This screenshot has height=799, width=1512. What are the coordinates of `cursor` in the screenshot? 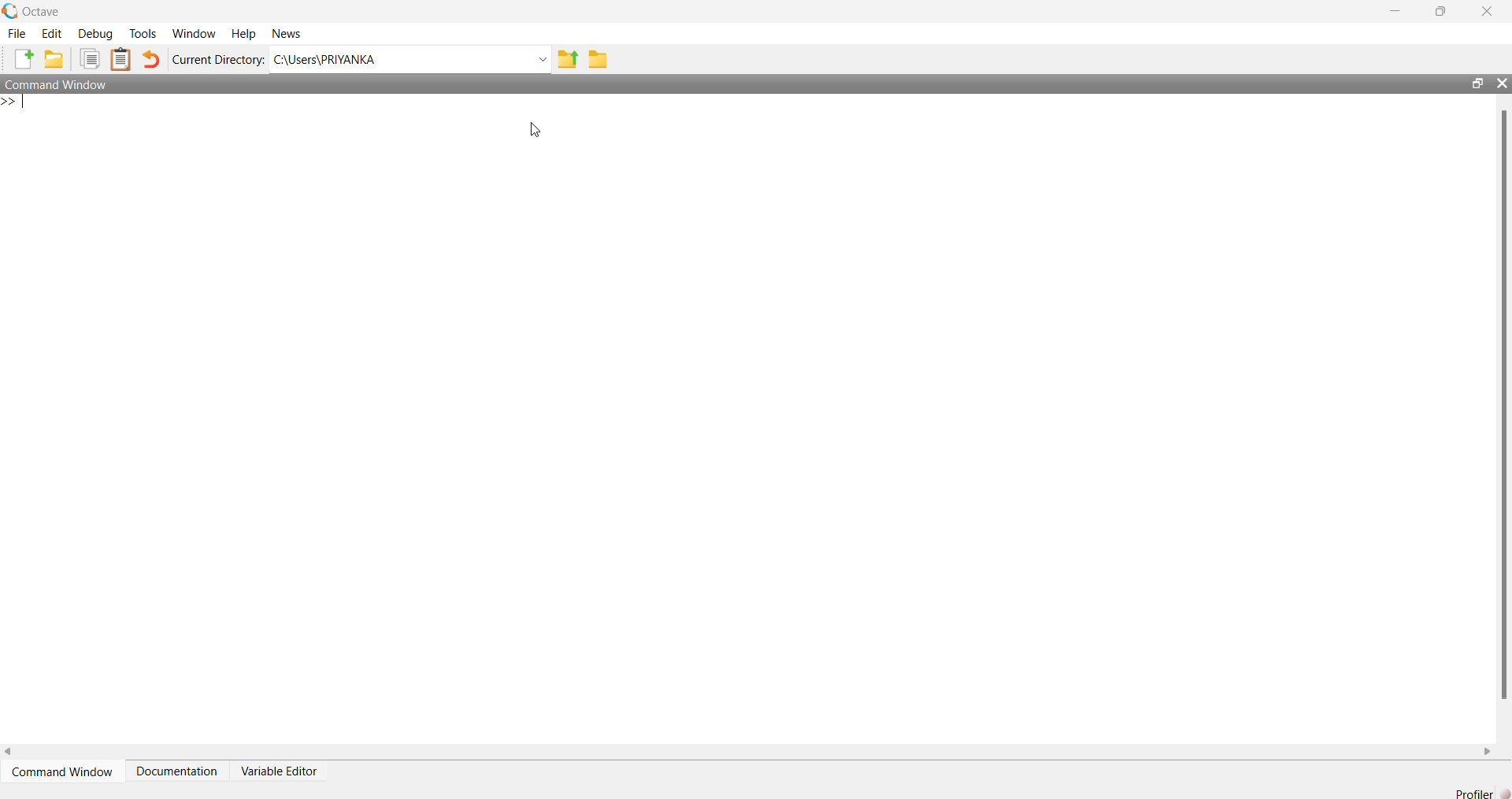 It's located at (539, 132).